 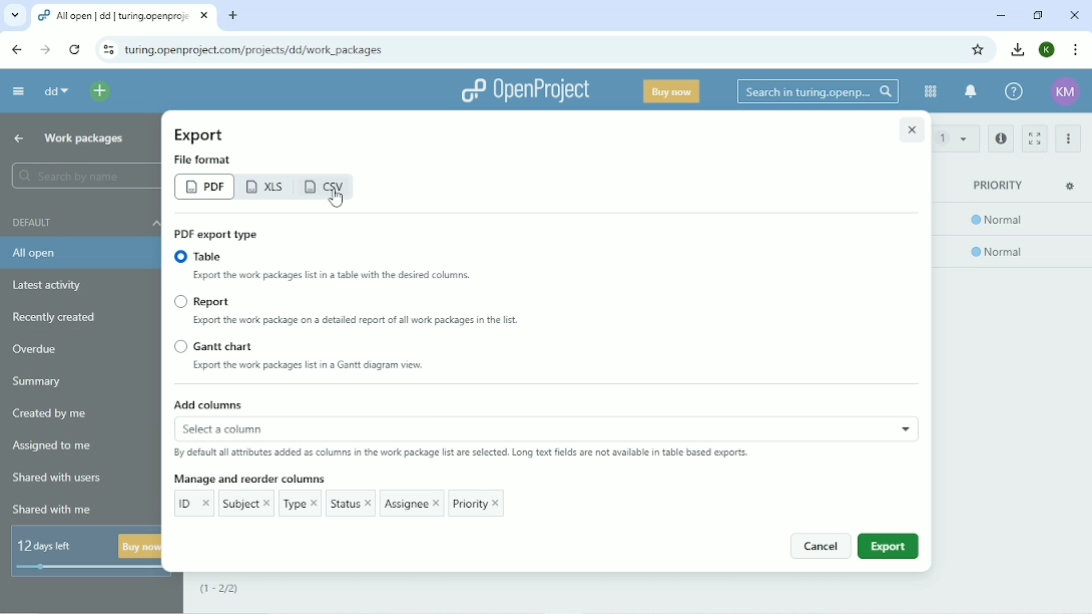 I want to click on By default all attributes added as columns in the work package list are selected. Long text fields are not available in the table based reports., so click(x=461, y=454).